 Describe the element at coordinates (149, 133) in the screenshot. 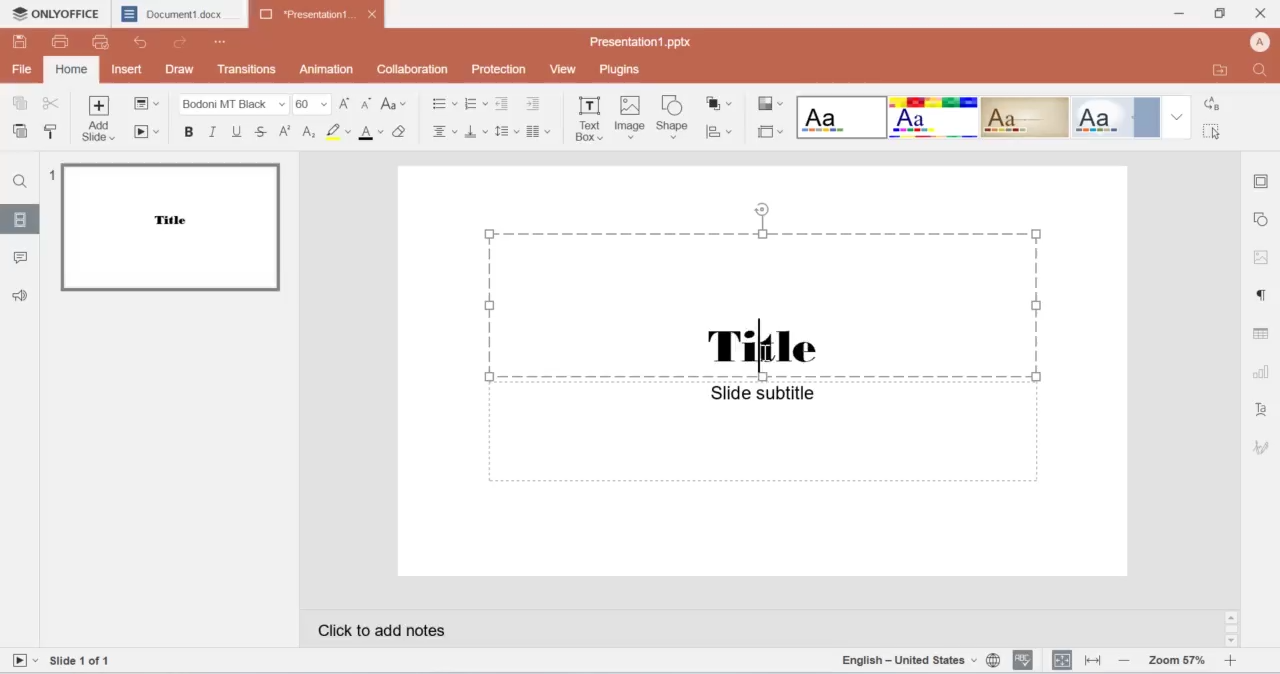

I see `play` at that location.